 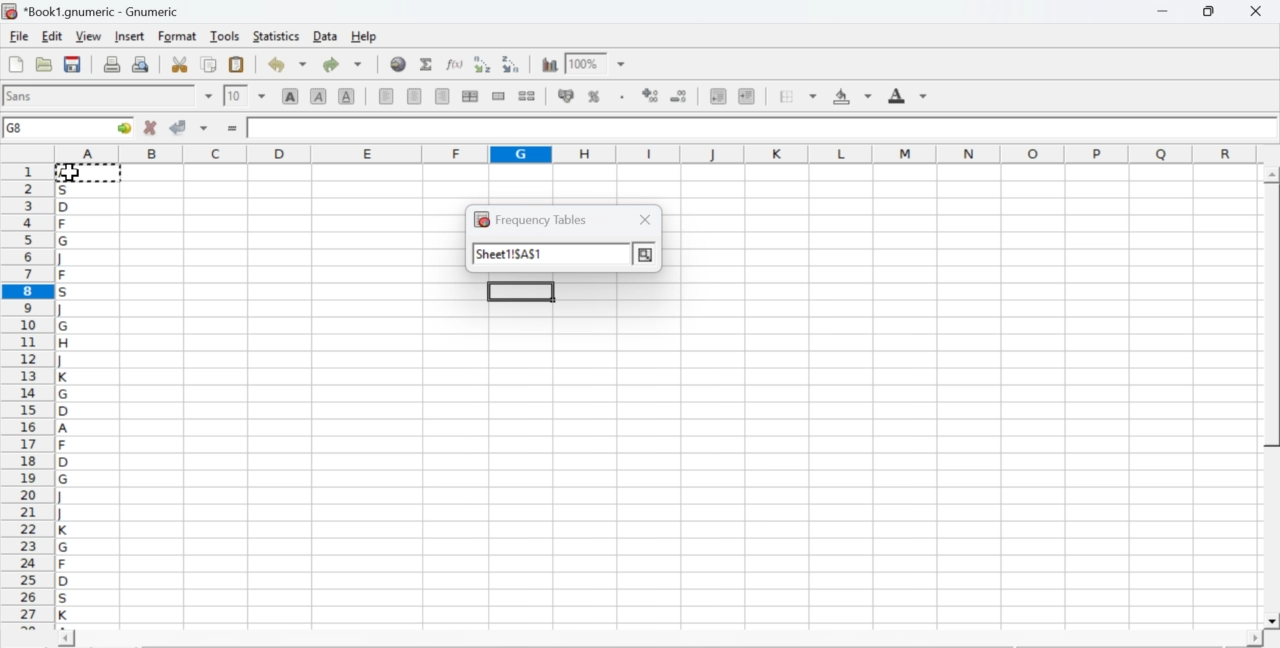 What do you see at coordinates (274, 36) in the screenshot?
I see `statistics` at bounding box center [274, 36].